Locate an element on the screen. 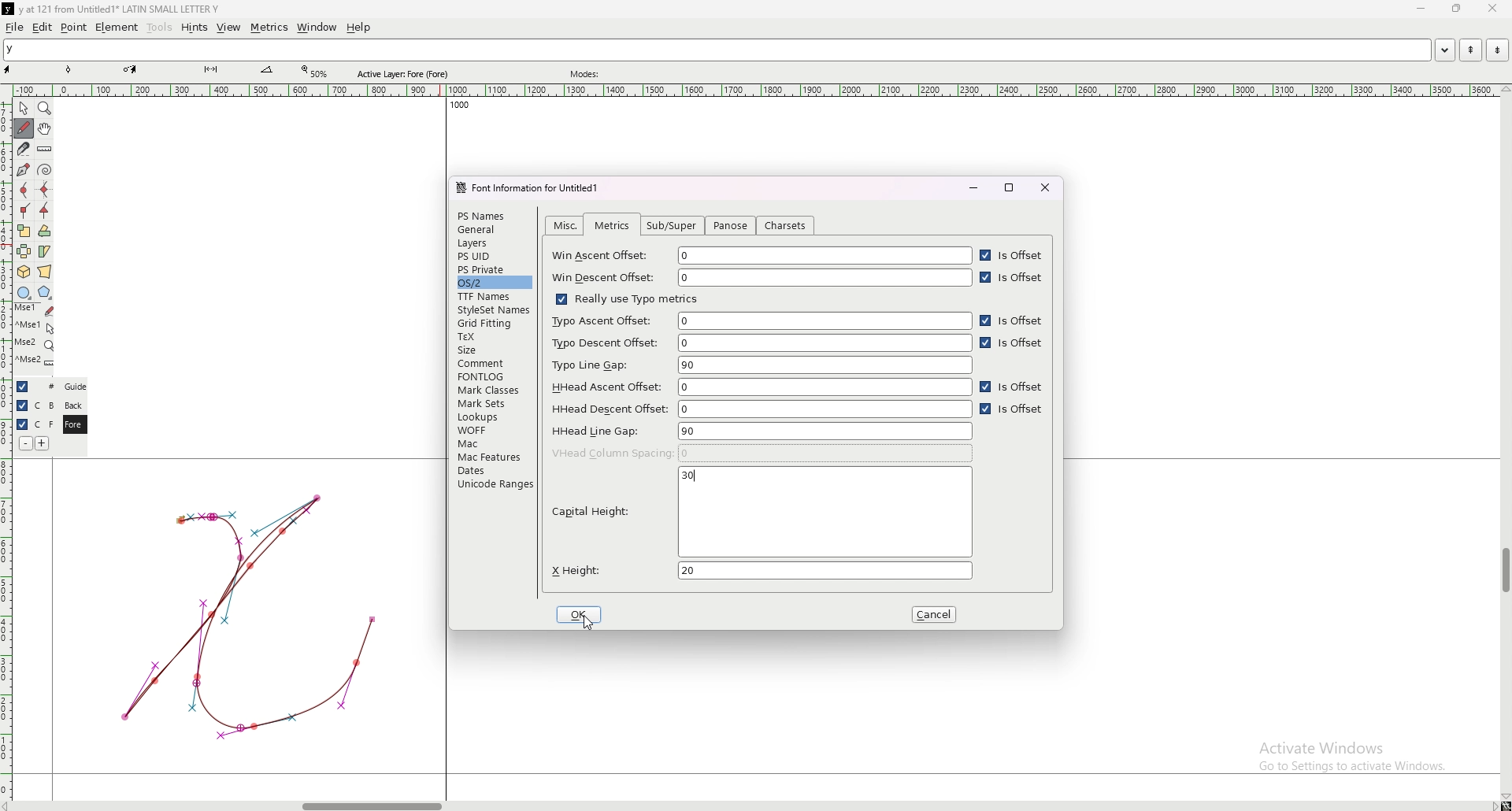 This screenshot has height=811, width=1512. skew the selection is located at coordinates (44, 250).